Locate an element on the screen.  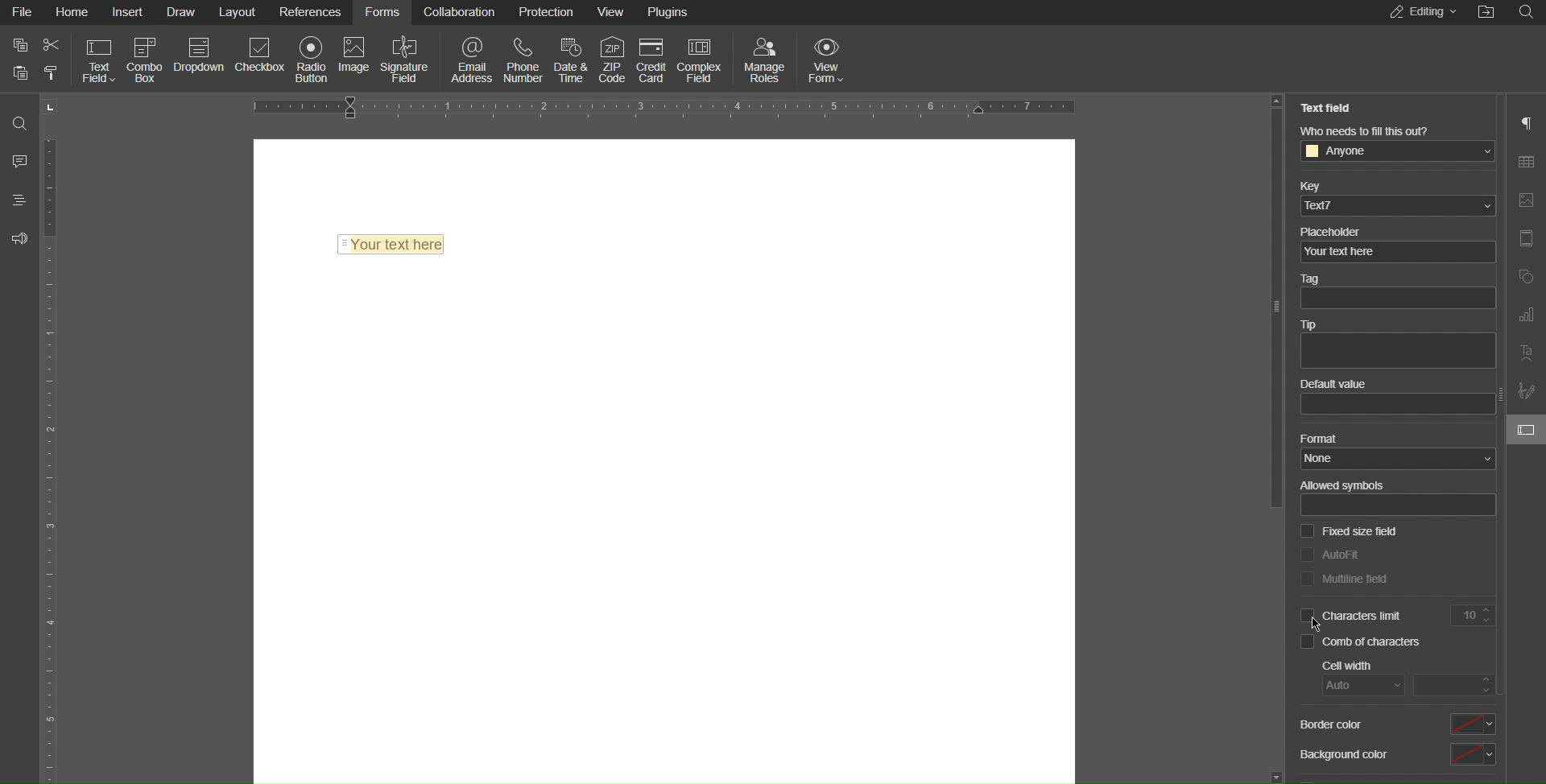
View Form is located at coordinates (830, 58).